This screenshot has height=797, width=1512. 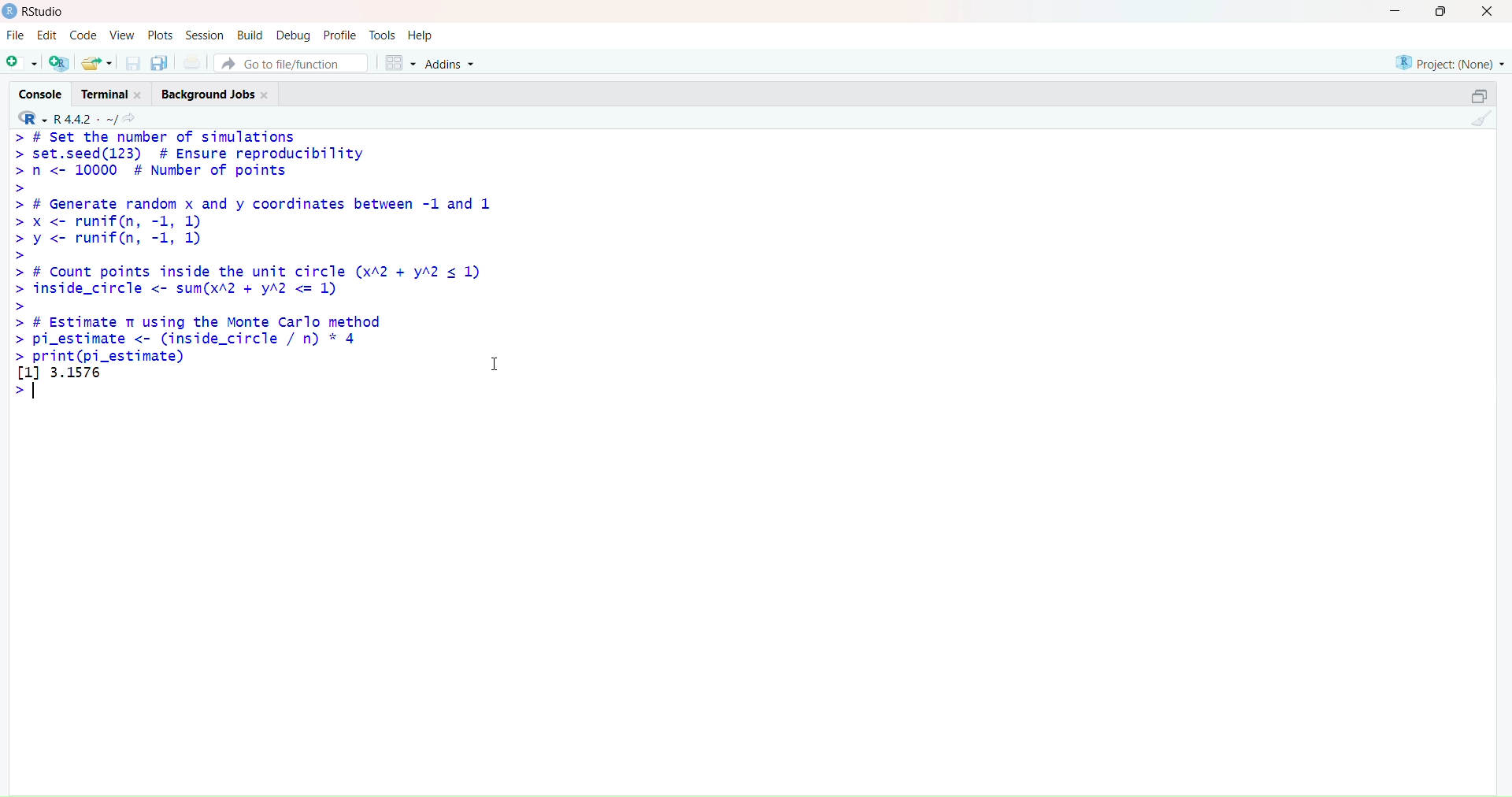 What do you see at coordinates (1481, 95) in the screenshot?
I see `Maximize` at bounding box center [1481, 95].